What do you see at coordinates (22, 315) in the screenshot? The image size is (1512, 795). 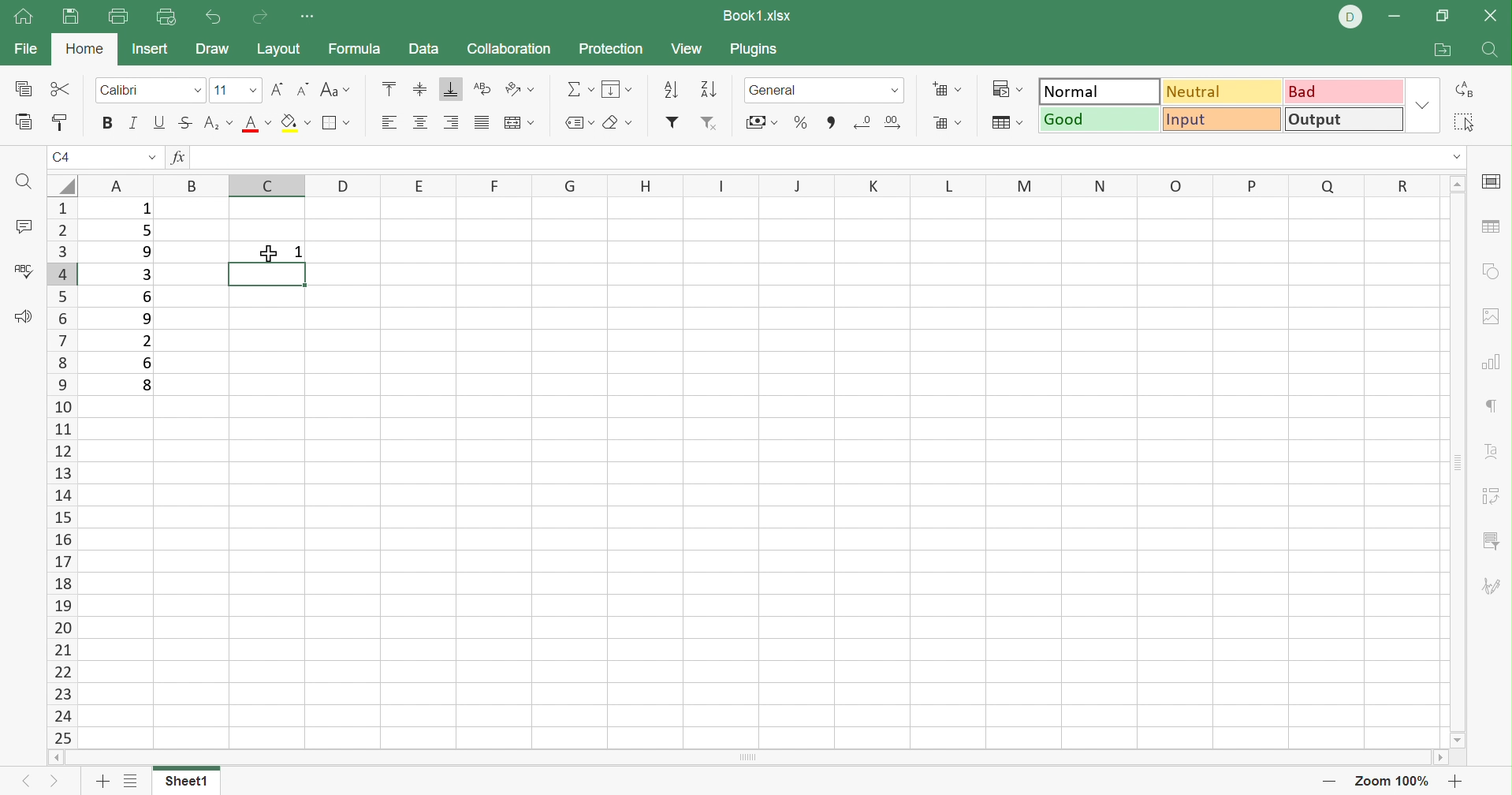 I see `Feedback & Support` at bounding box center [22, 315].